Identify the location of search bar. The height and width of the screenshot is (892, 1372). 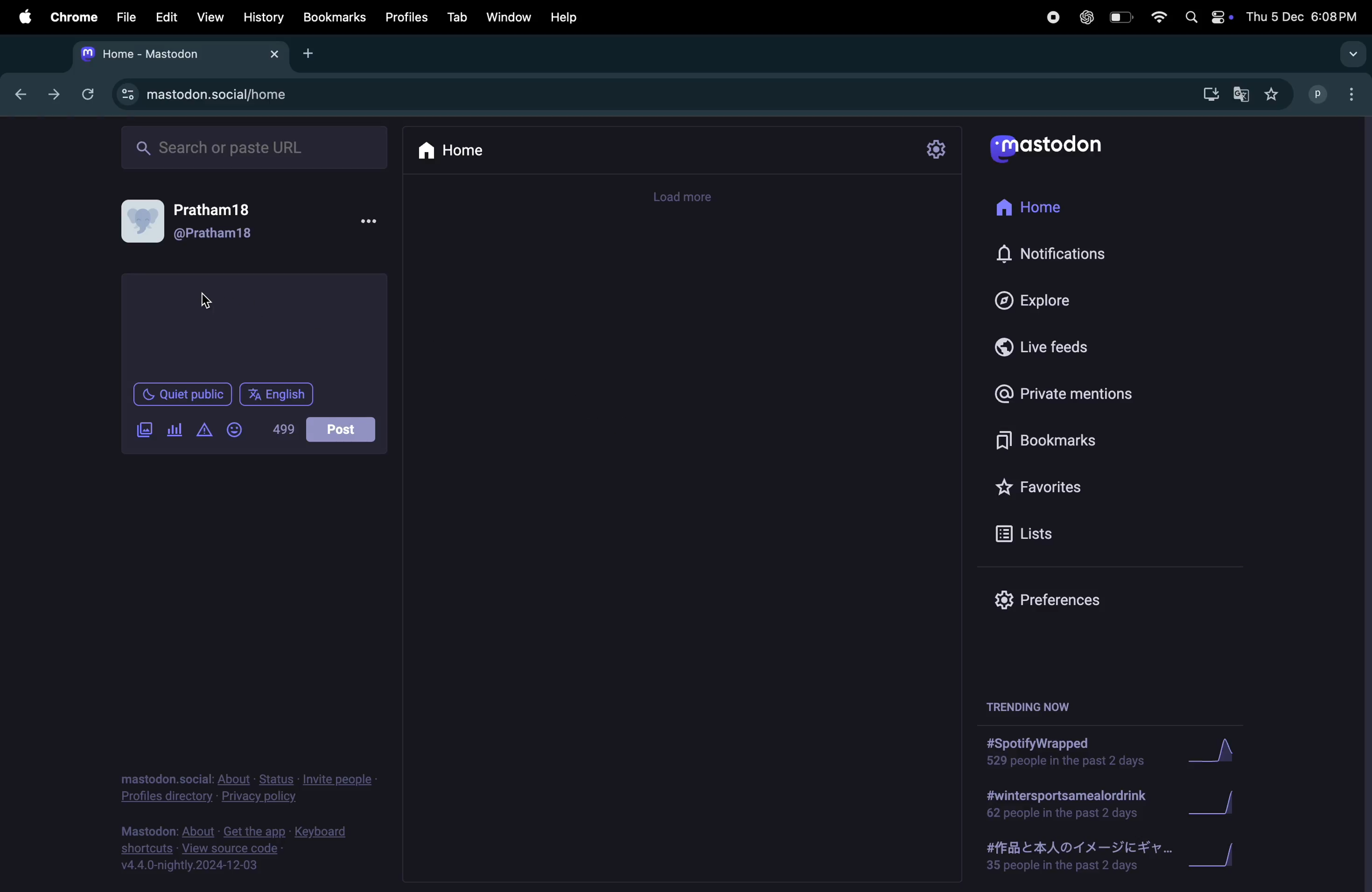
(252, 146).